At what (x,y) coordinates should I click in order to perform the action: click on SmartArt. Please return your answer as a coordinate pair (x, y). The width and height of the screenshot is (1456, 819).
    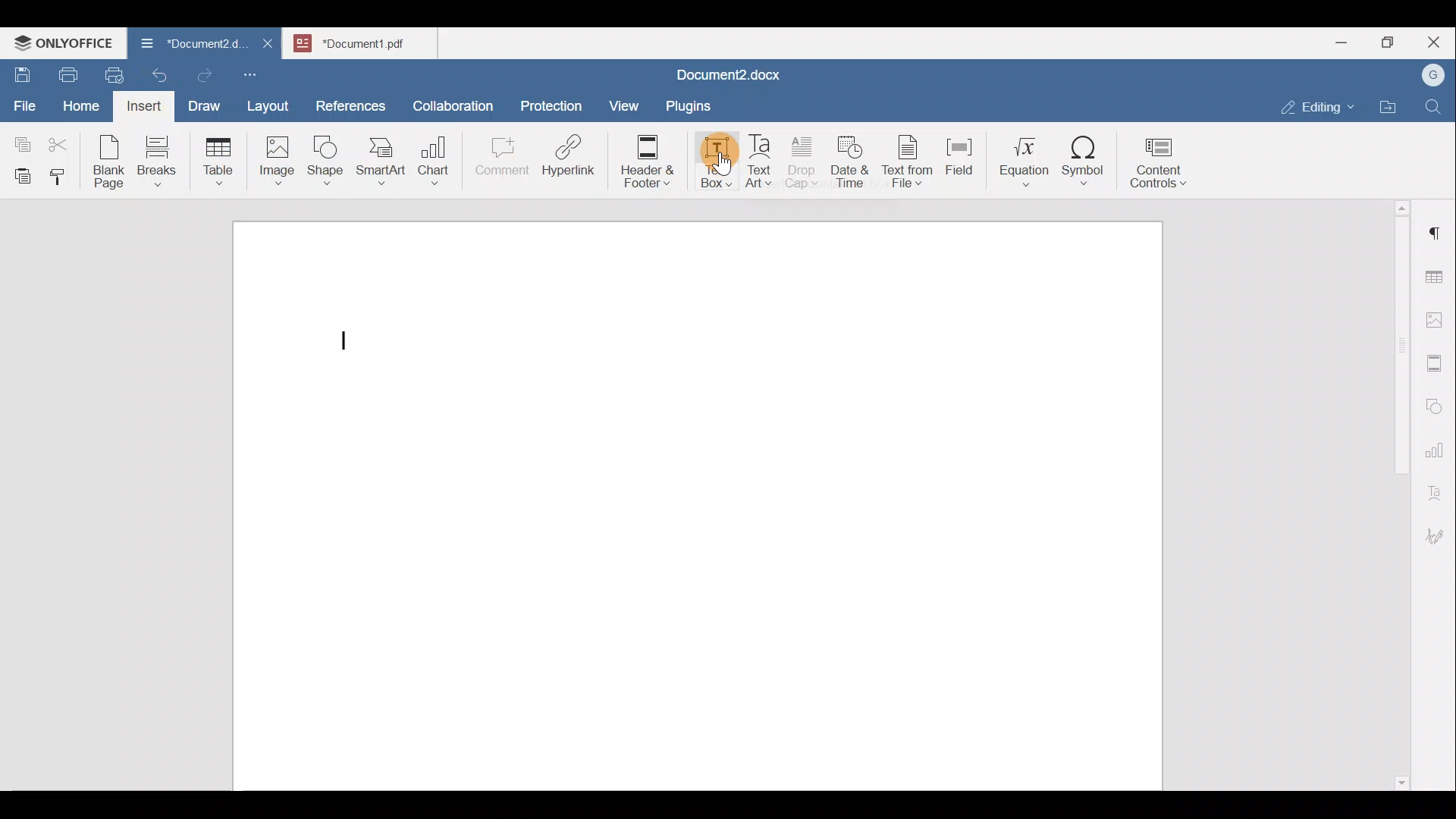
    Looking at the image, I should click on (378, 158).